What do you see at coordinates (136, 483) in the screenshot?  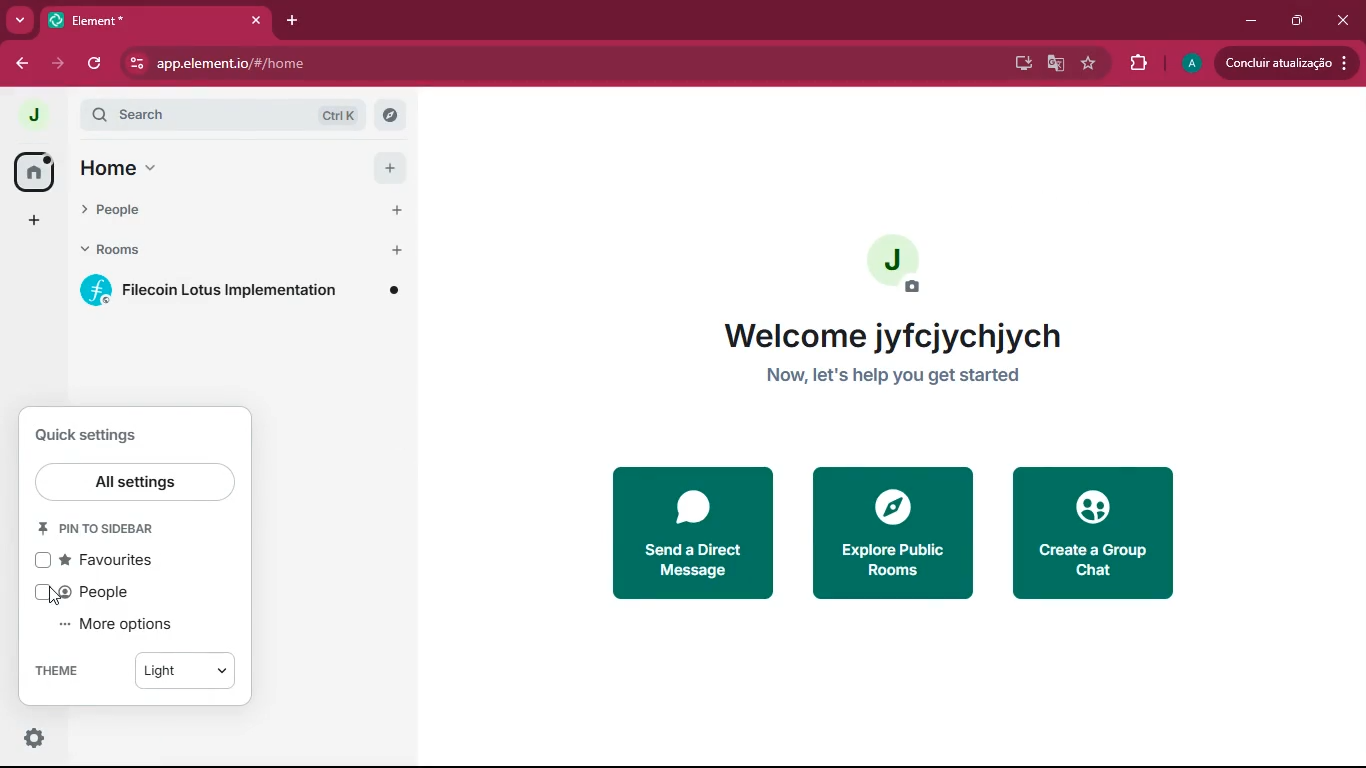 I see `all settings` at bounding box center [136, 483].